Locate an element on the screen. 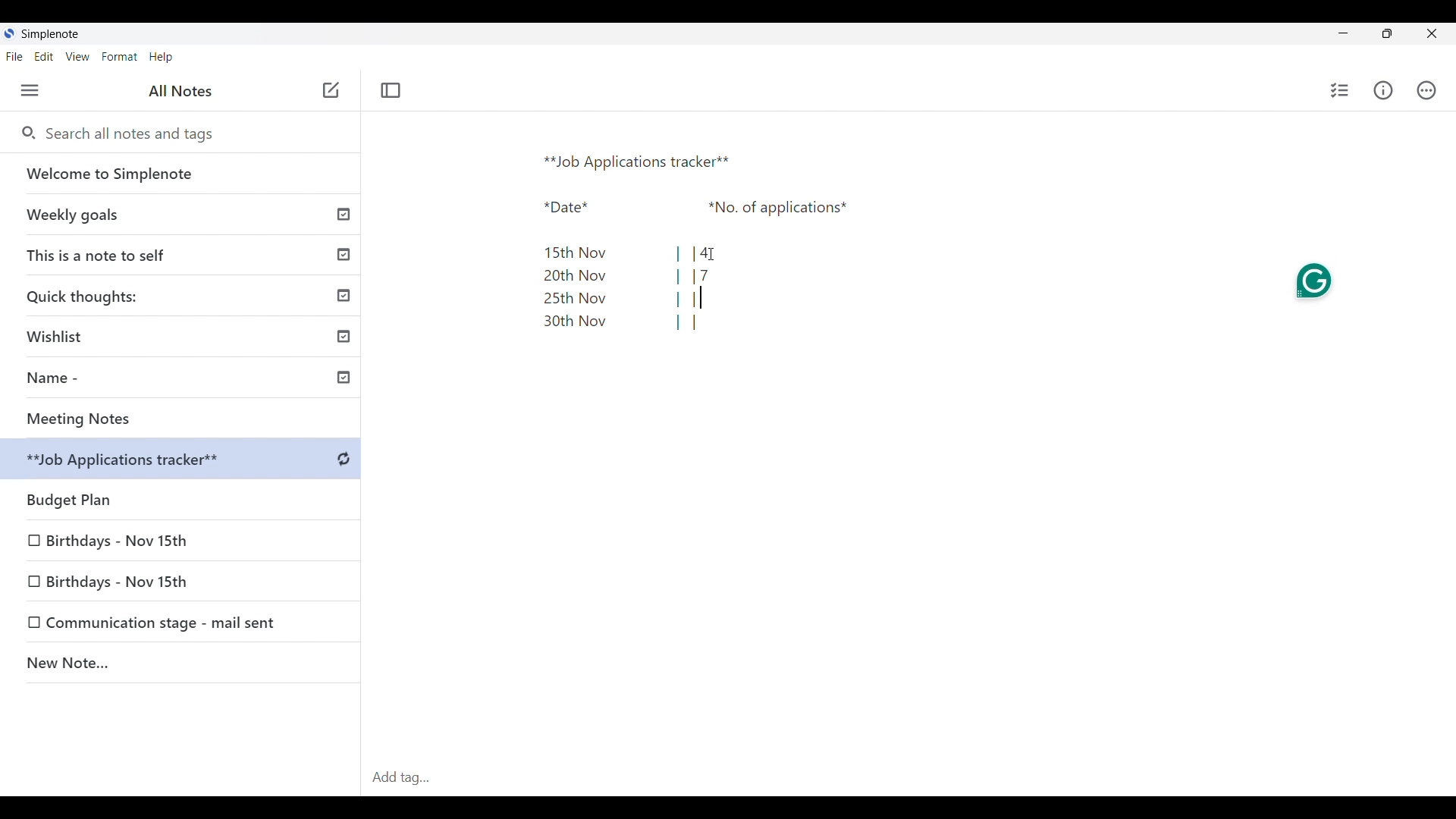 Image resolution: width=1456 pixels, height=819 pixels. File is located at coordinates (14, 56).